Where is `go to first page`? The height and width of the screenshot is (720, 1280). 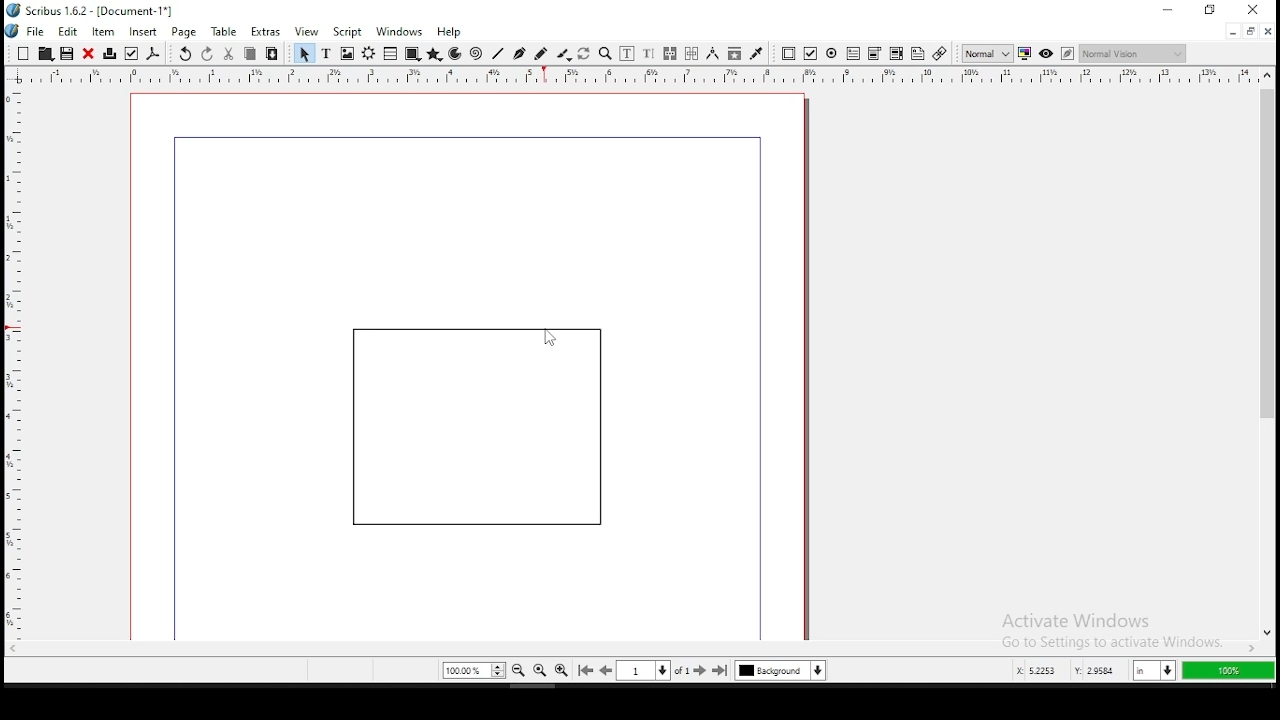
go to first page is located at coordinates (585, 671).